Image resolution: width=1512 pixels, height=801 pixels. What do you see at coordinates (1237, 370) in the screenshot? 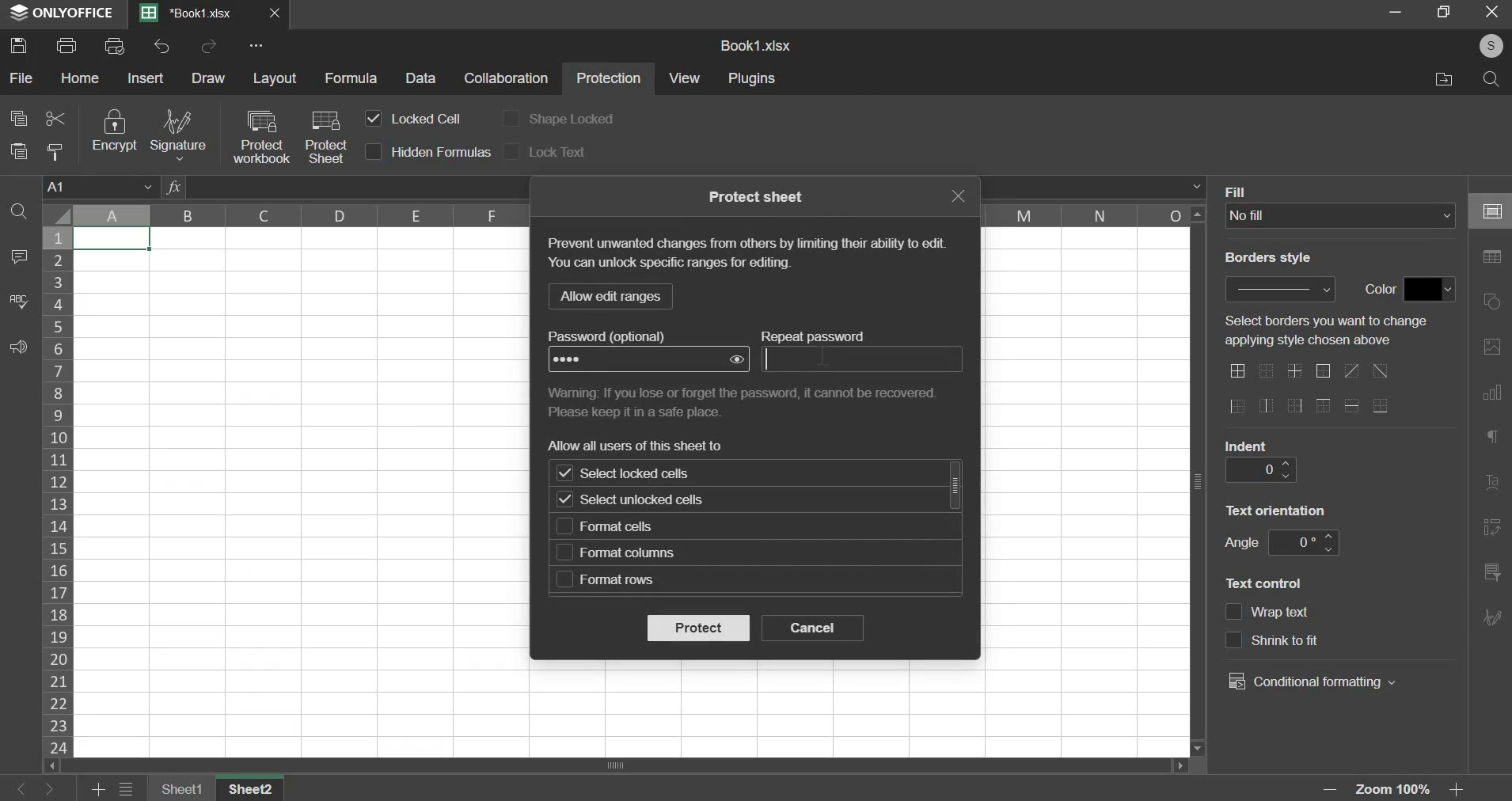
I see `border options` at bounding box center [1237, 370].